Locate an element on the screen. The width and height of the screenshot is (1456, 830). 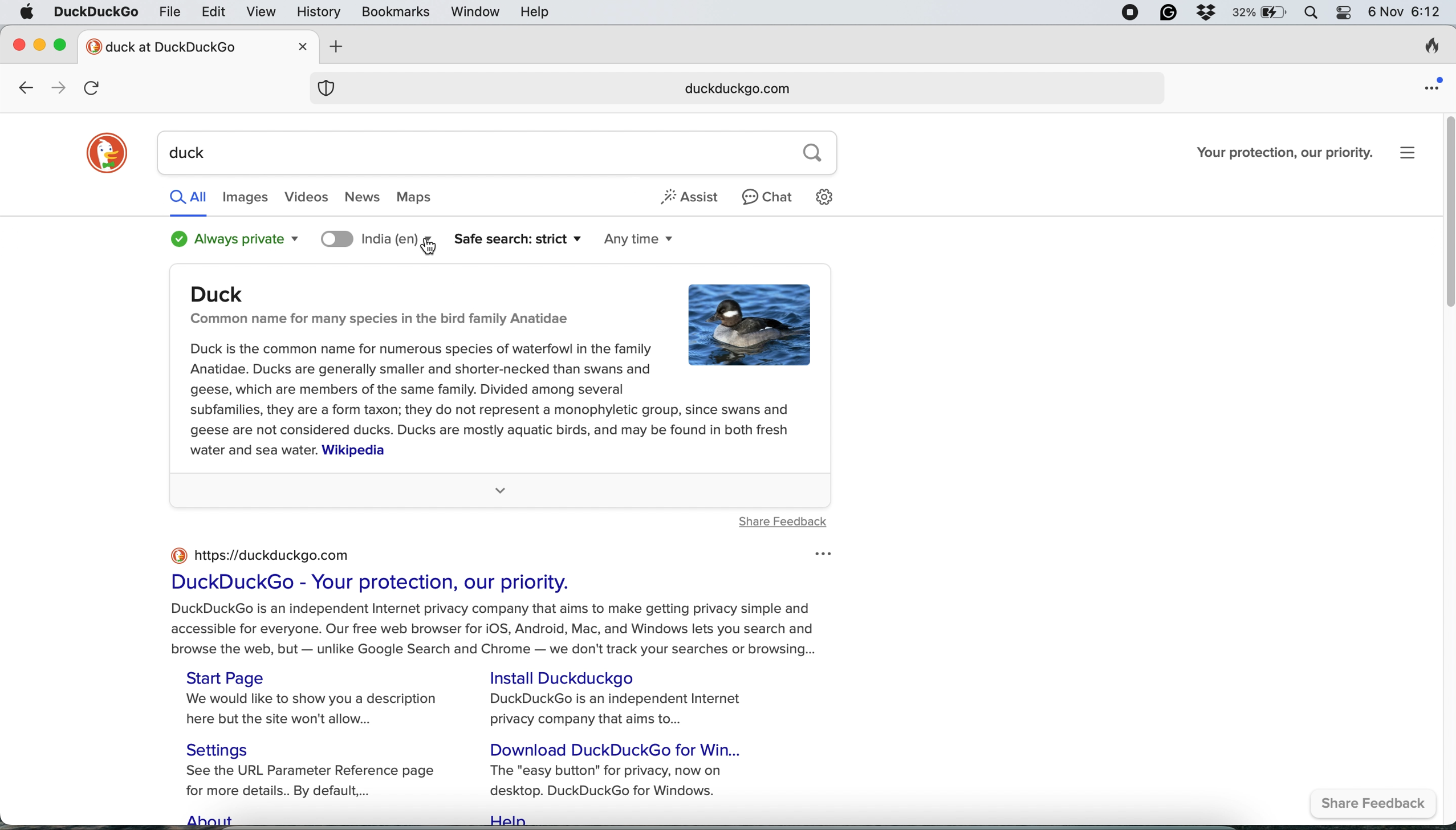
DuckDuckGo - Your protection, our priority. is located at coordinates (369, 583).